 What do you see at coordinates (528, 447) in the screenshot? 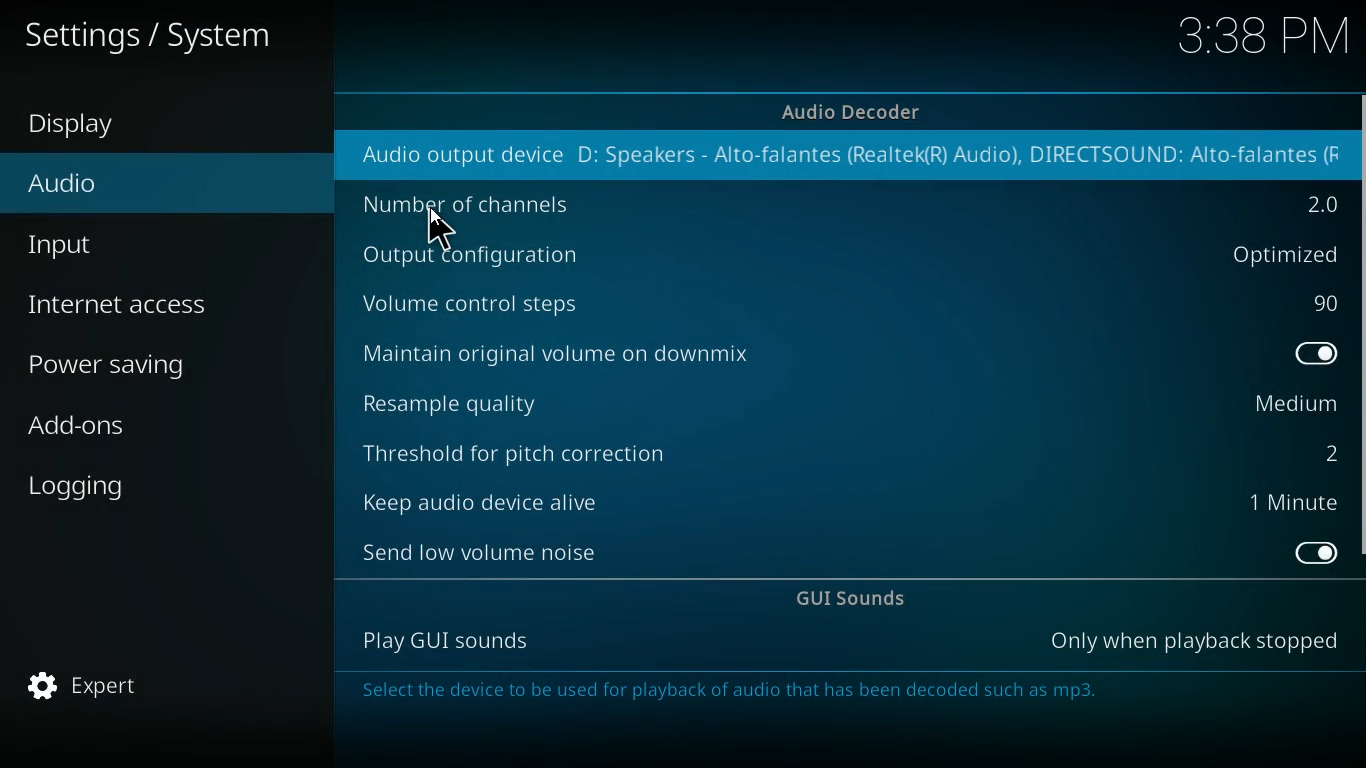
I see `threshold for pitch correction` at bounding box center [528, 447].